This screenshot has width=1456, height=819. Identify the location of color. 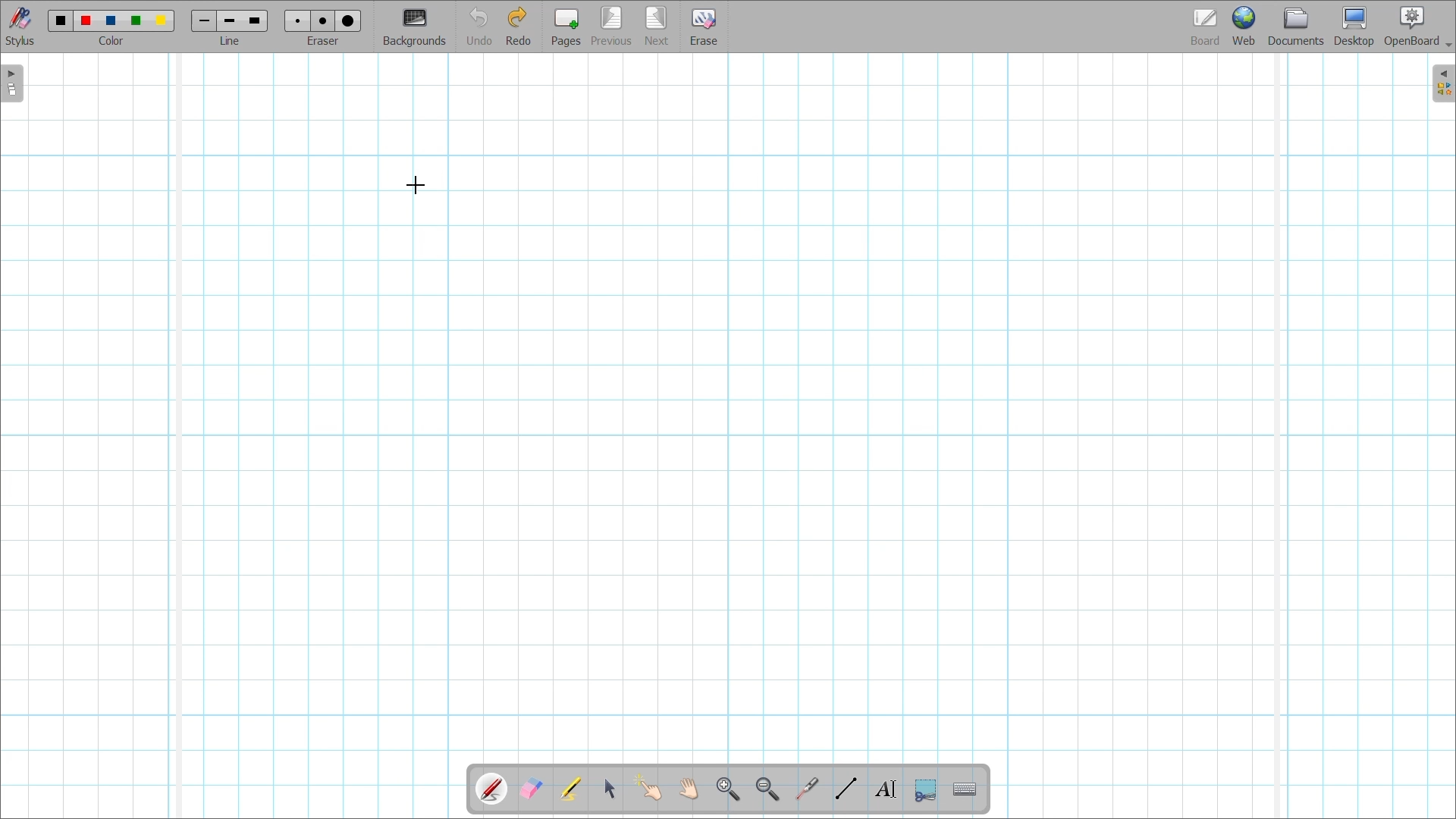
(115, 42).